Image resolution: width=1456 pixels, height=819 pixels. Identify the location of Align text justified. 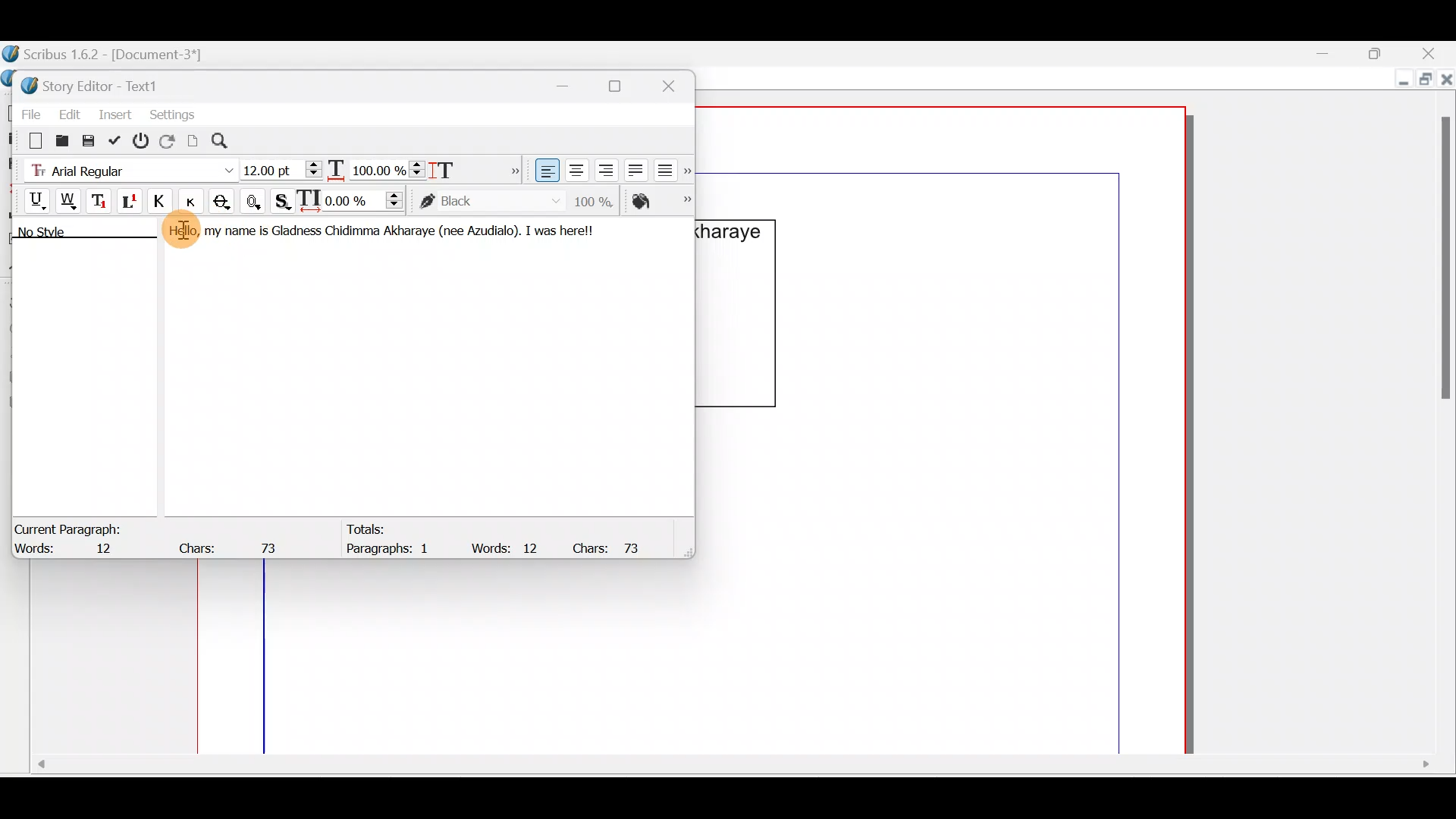
(634, 168).